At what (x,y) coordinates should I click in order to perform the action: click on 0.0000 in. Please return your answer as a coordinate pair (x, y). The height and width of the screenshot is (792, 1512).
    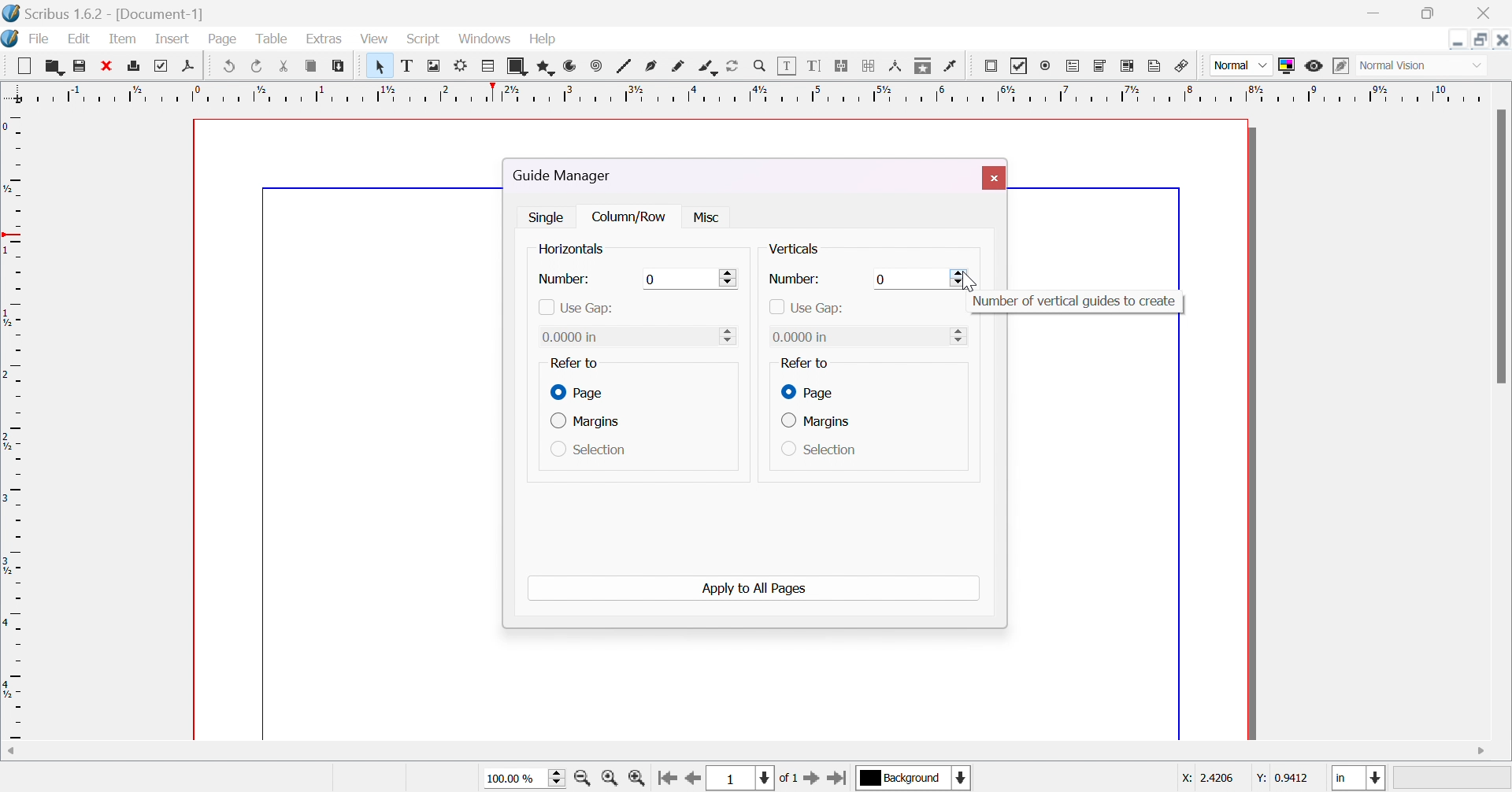
    Looking at the image, I should click on (575, 337).